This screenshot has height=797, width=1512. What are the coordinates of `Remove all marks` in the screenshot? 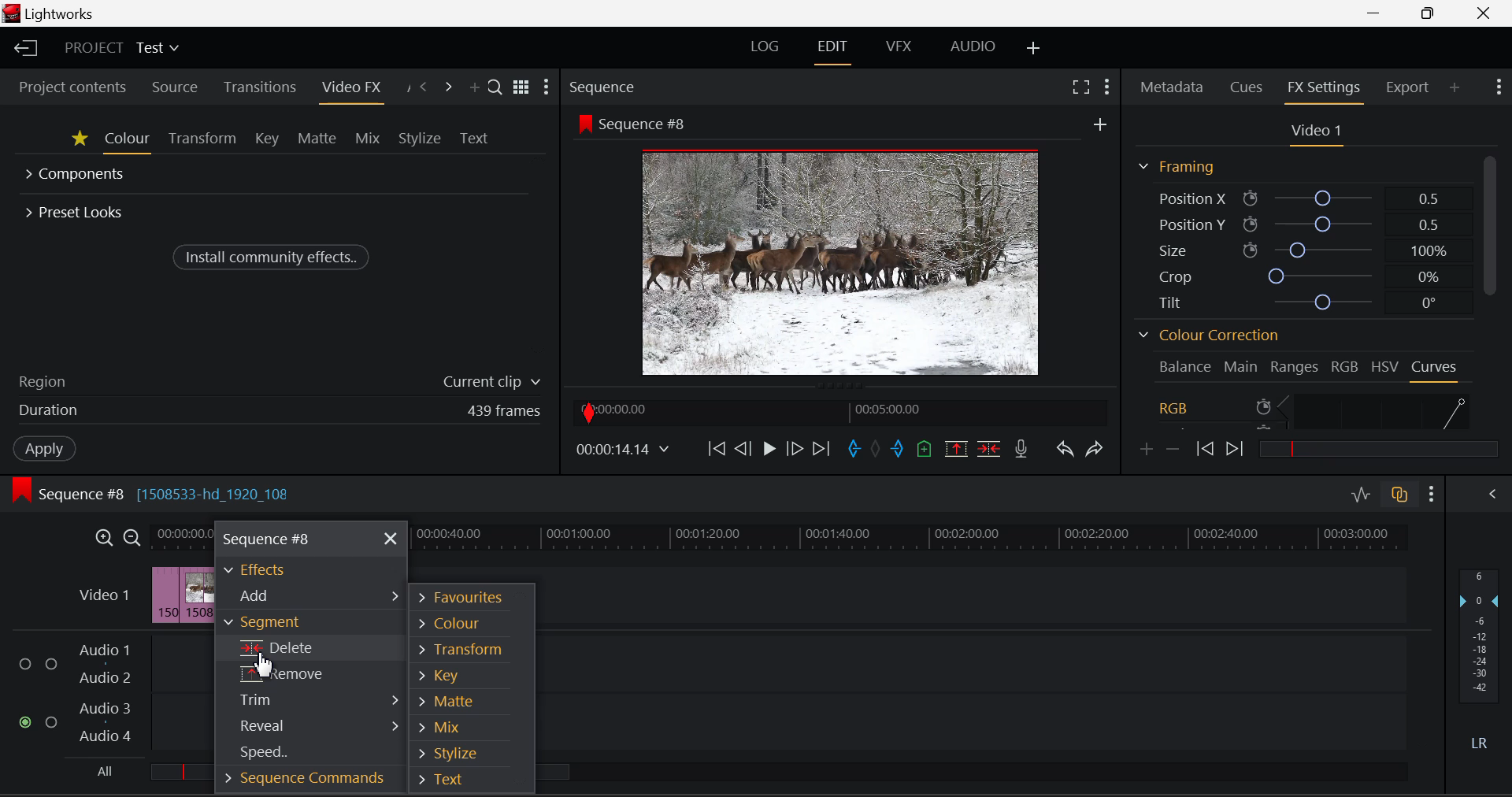 It's located at (877, 450).